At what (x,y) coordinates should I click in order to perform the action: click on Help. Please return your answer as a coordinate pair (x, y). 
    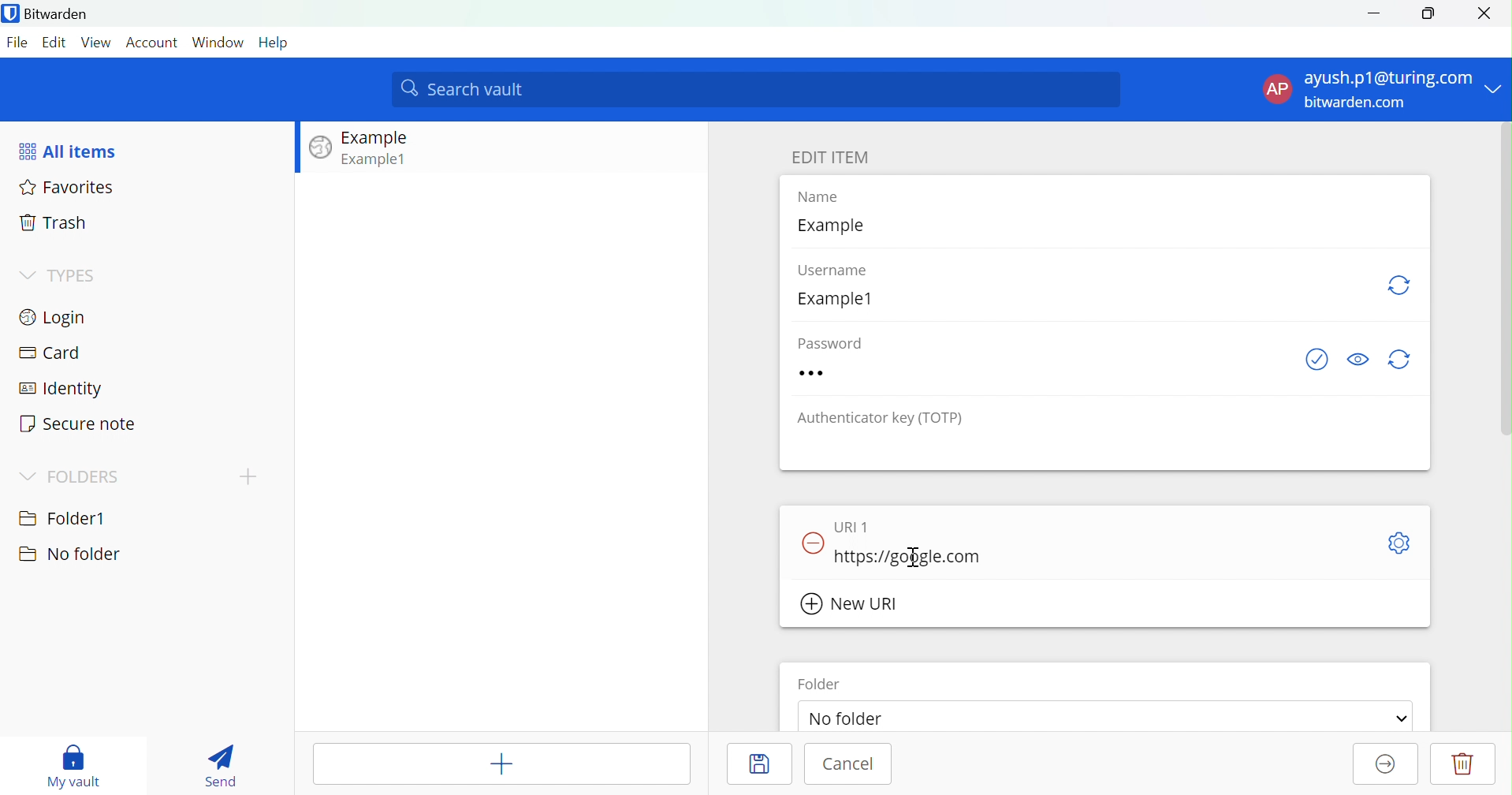
    Looking at the image, I should click on (275, 42).